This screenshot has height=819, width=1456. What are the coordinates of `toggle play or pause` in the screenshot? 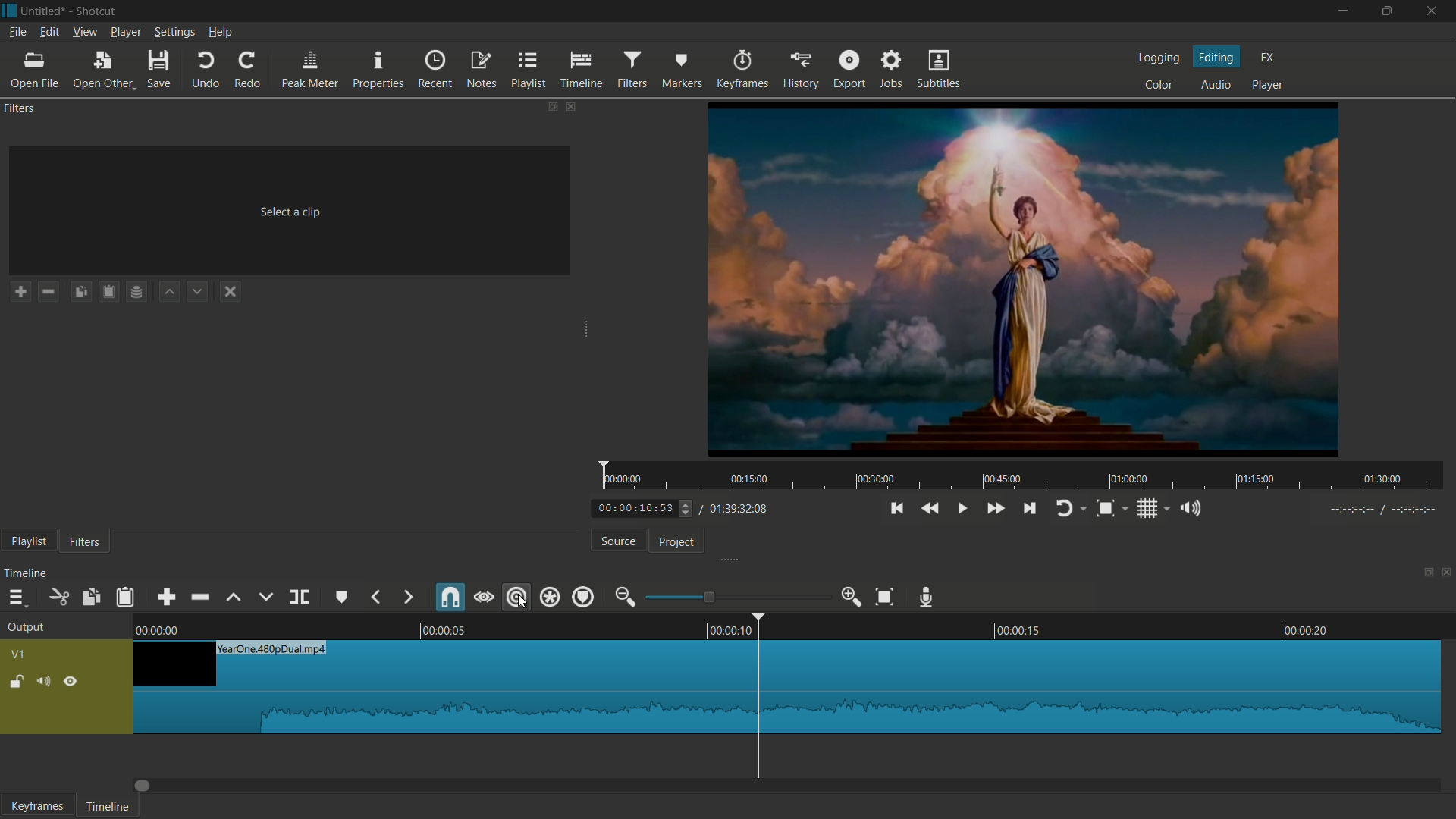 It's located at (962, 508).